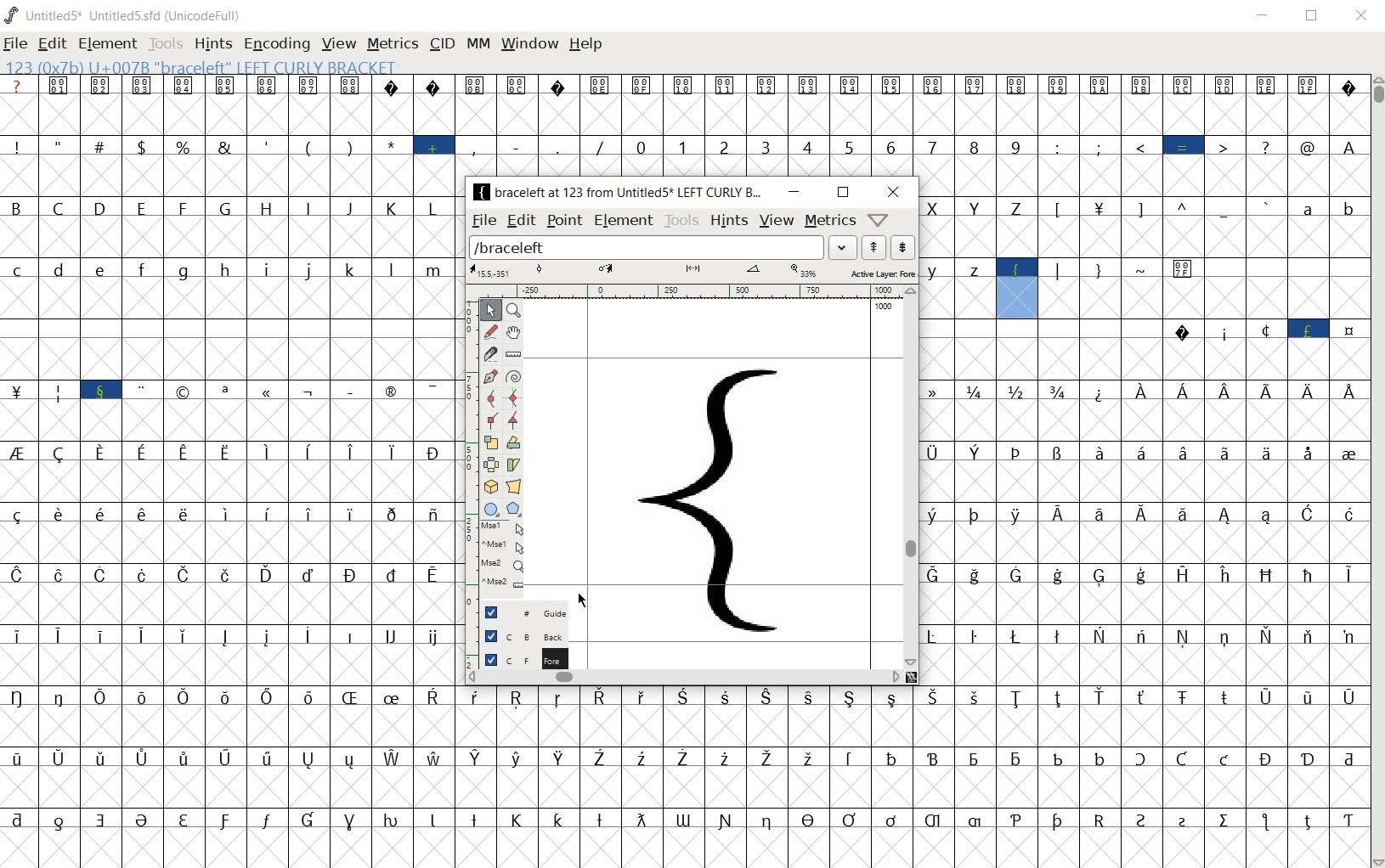 The height and width of the screenshot is (868, 1385). I want to click on Add a corner point, so click(513, 421).